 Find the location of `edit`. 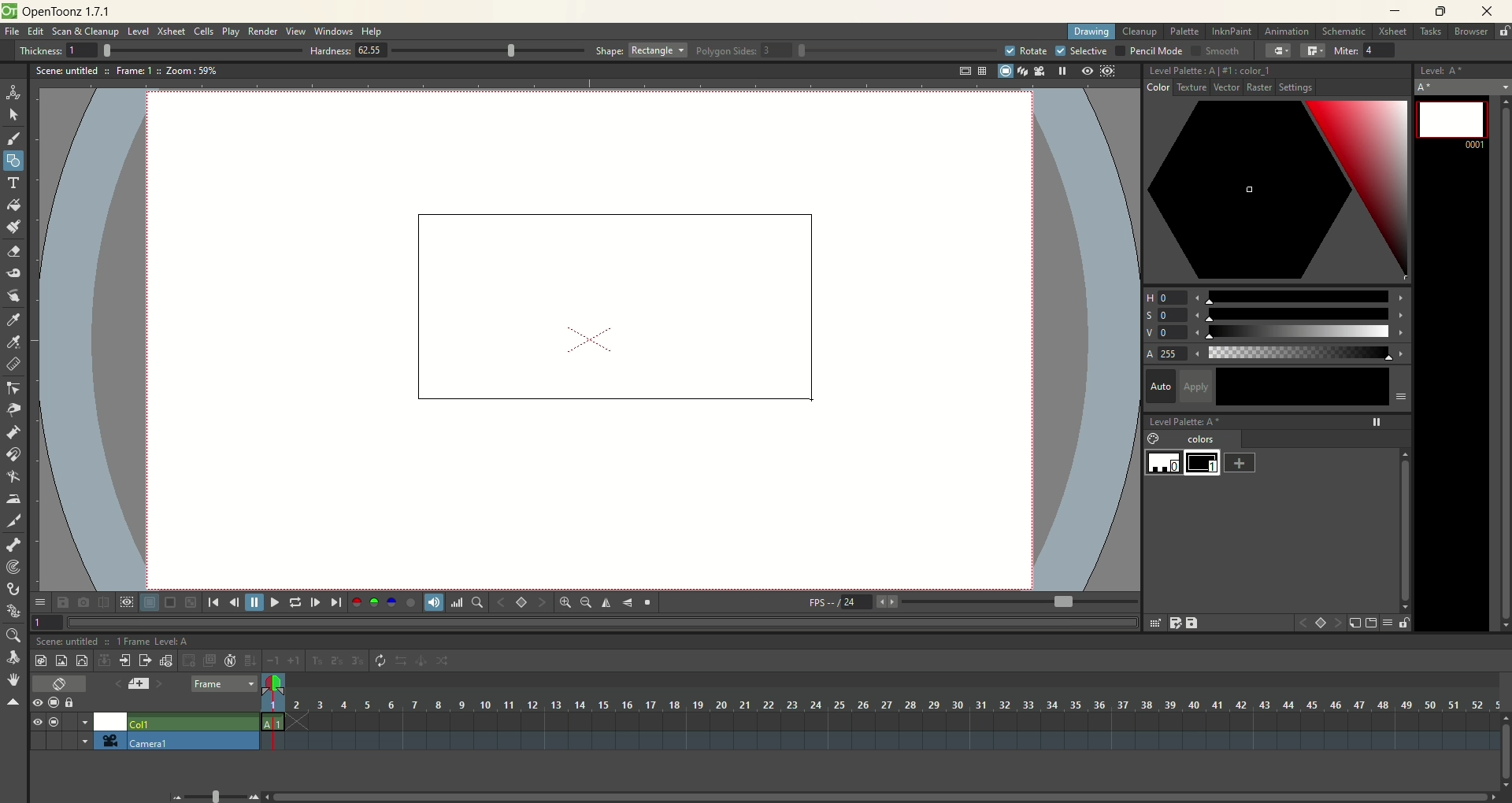

edit is located at coordinates (35, 33).